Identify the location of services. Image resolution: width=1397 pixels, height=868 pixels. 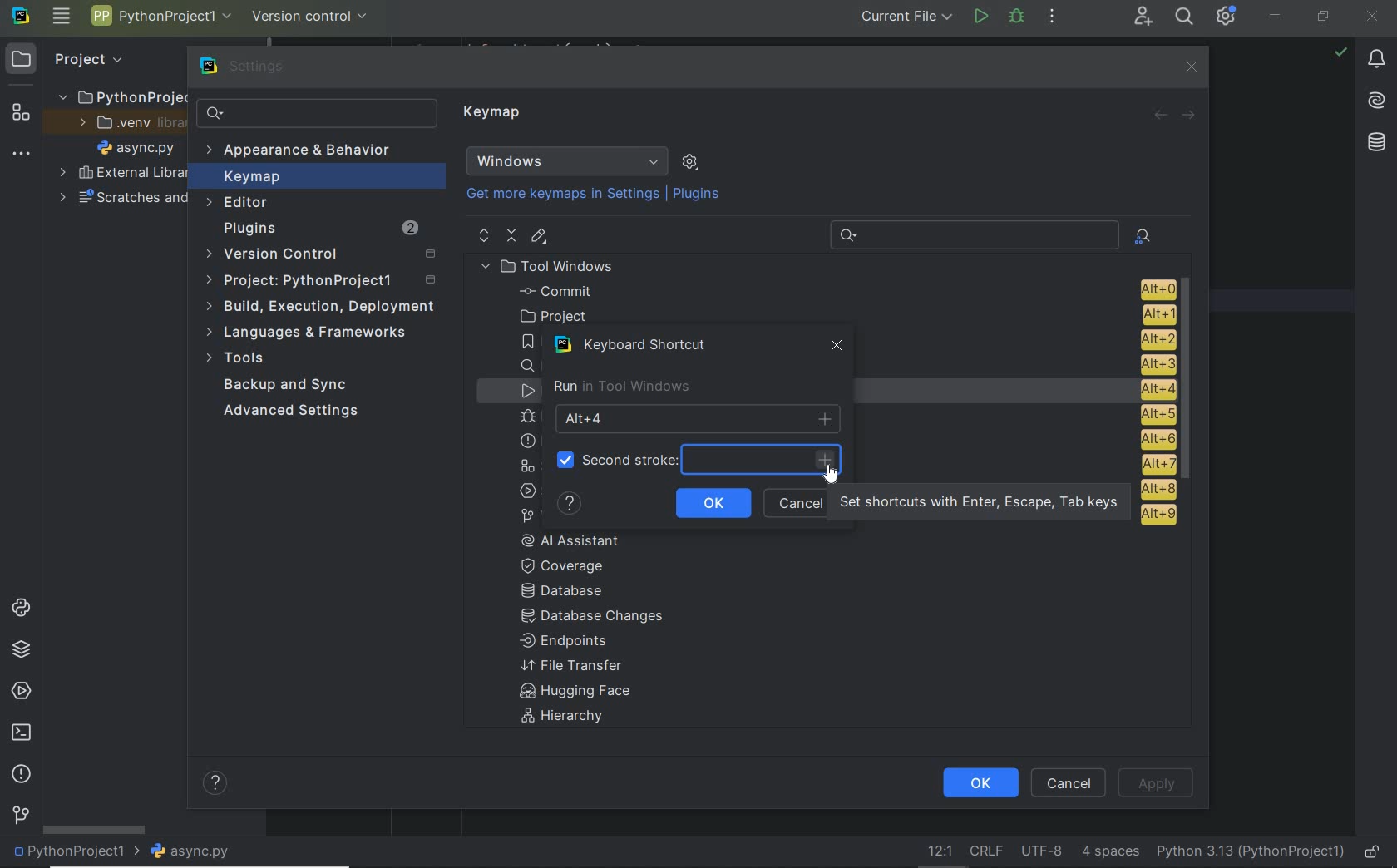
(18, 692).